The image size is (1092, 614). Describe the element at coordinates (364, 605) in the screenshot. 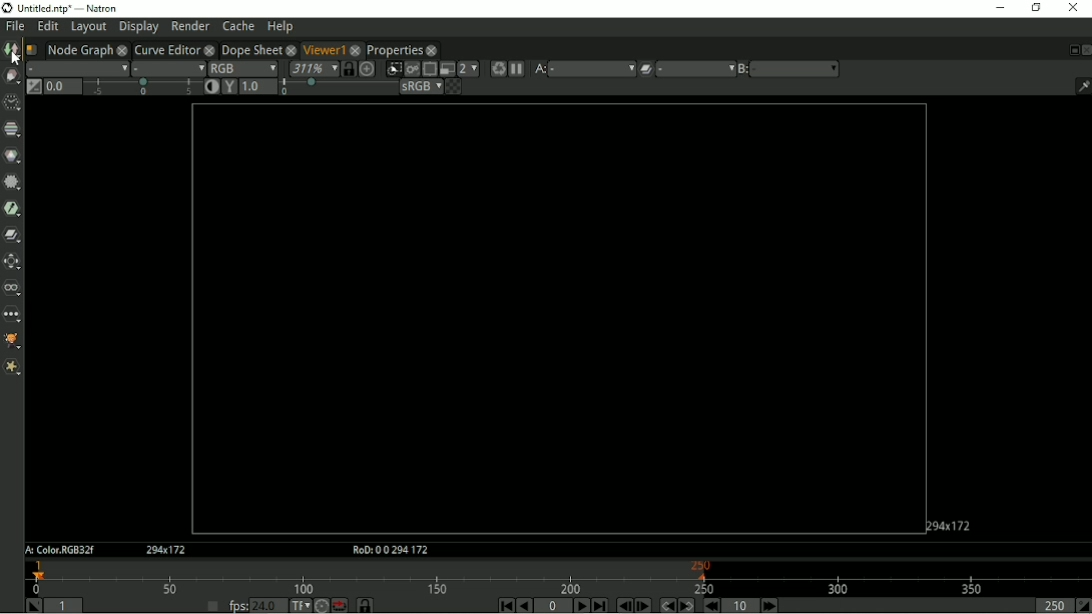

I see `Synchronize timeline frame range` at that location.